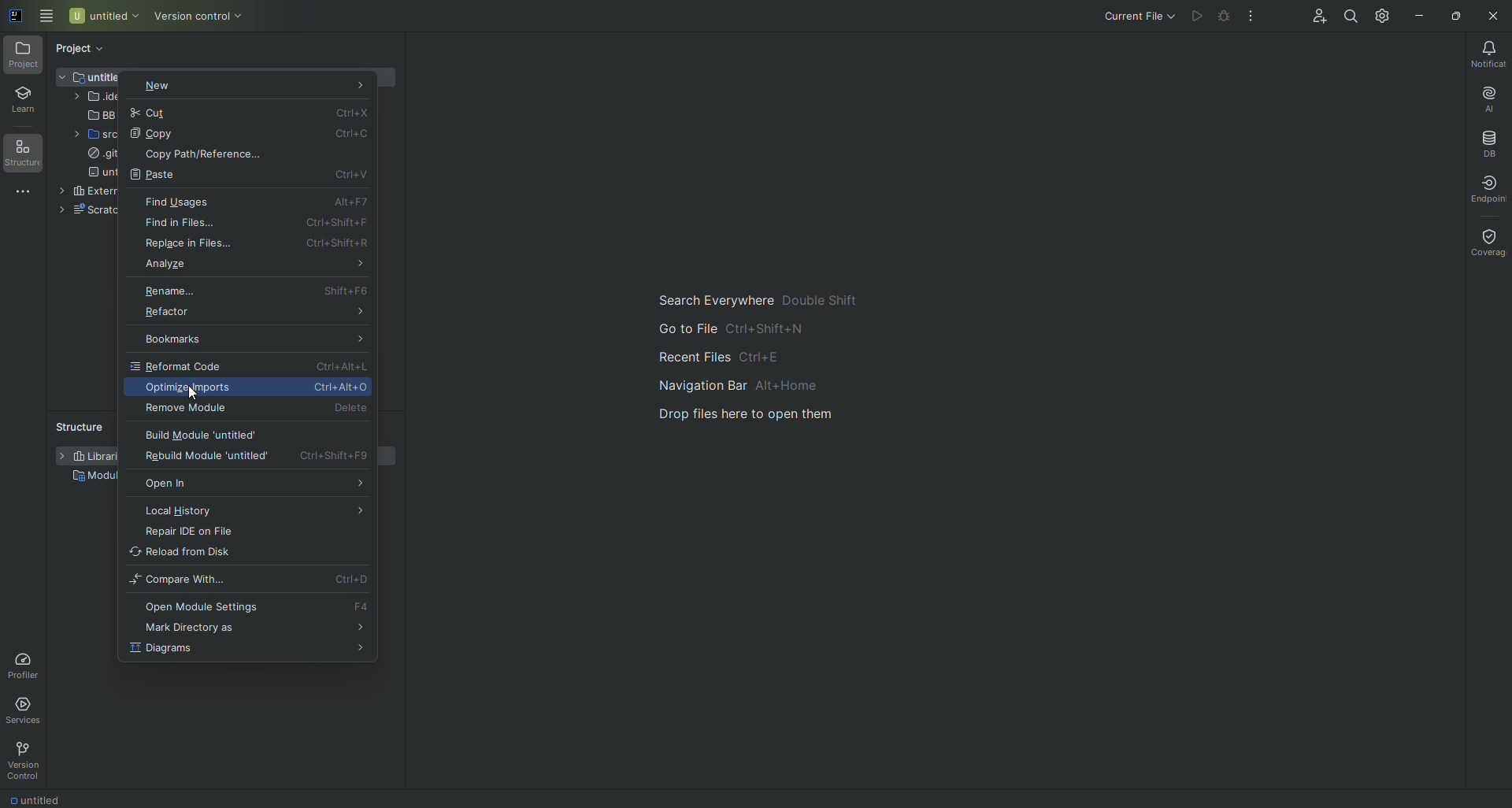 Image resolution: width=1512 pixels, height=808 pixels. What do you see at coordinates (258, 247) in the screenshot?
I see `Replace in Files` at bounding box center [258, 247].